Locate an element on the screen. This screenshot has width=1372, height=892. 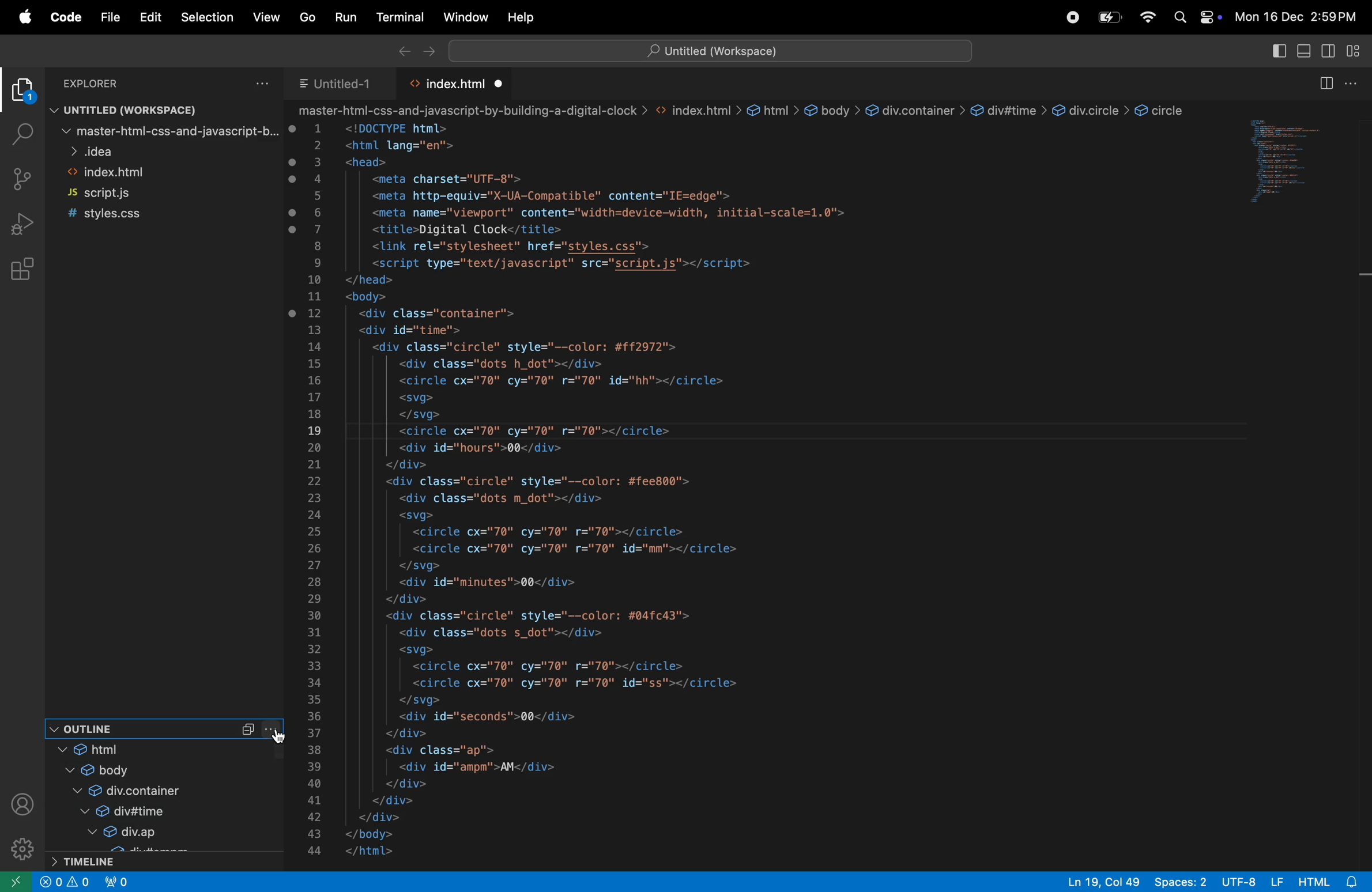
apple menu is located at coordinates (21, 17).